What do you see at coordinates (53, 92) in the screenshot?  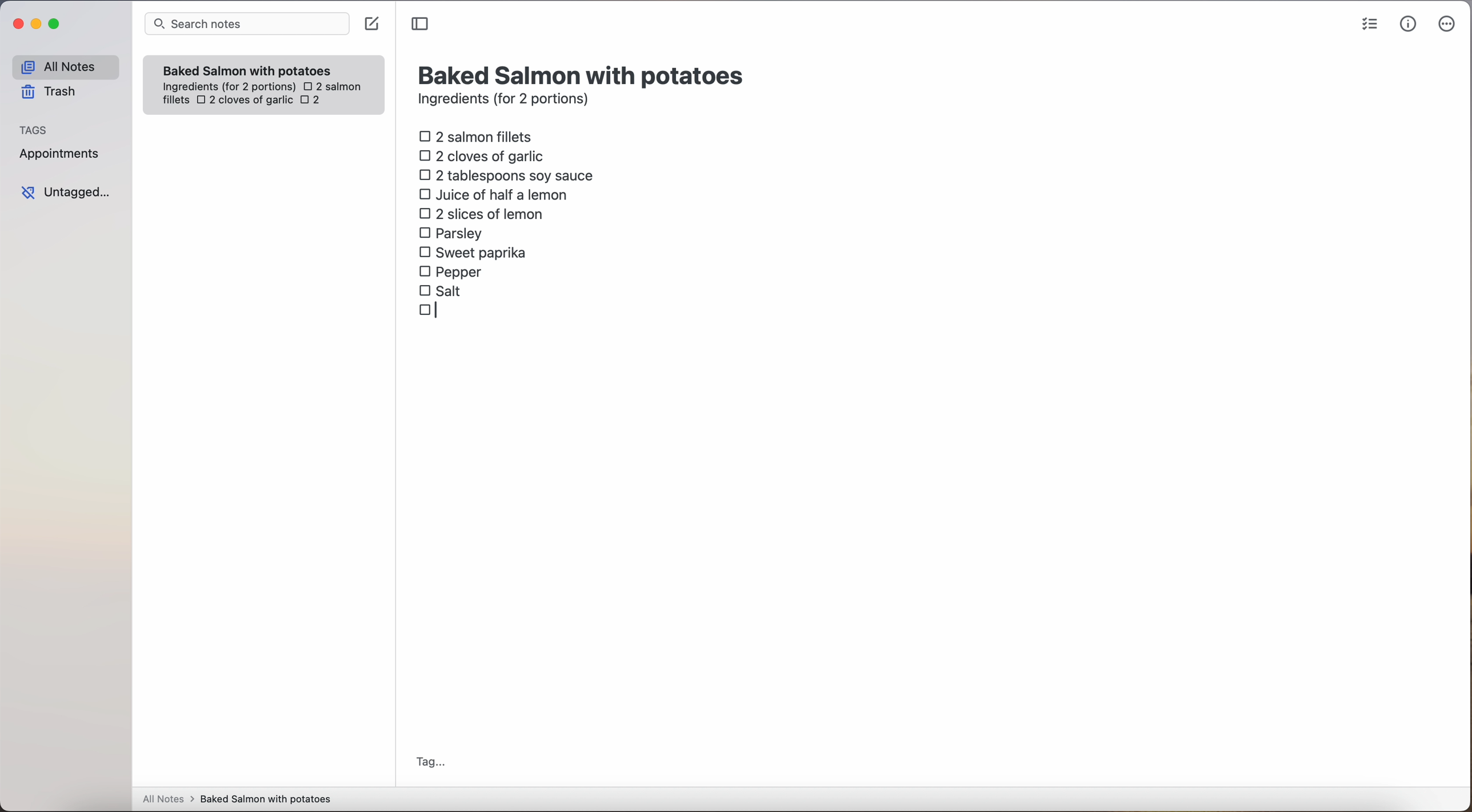 I see `trash` at bounding box center [53, 92].